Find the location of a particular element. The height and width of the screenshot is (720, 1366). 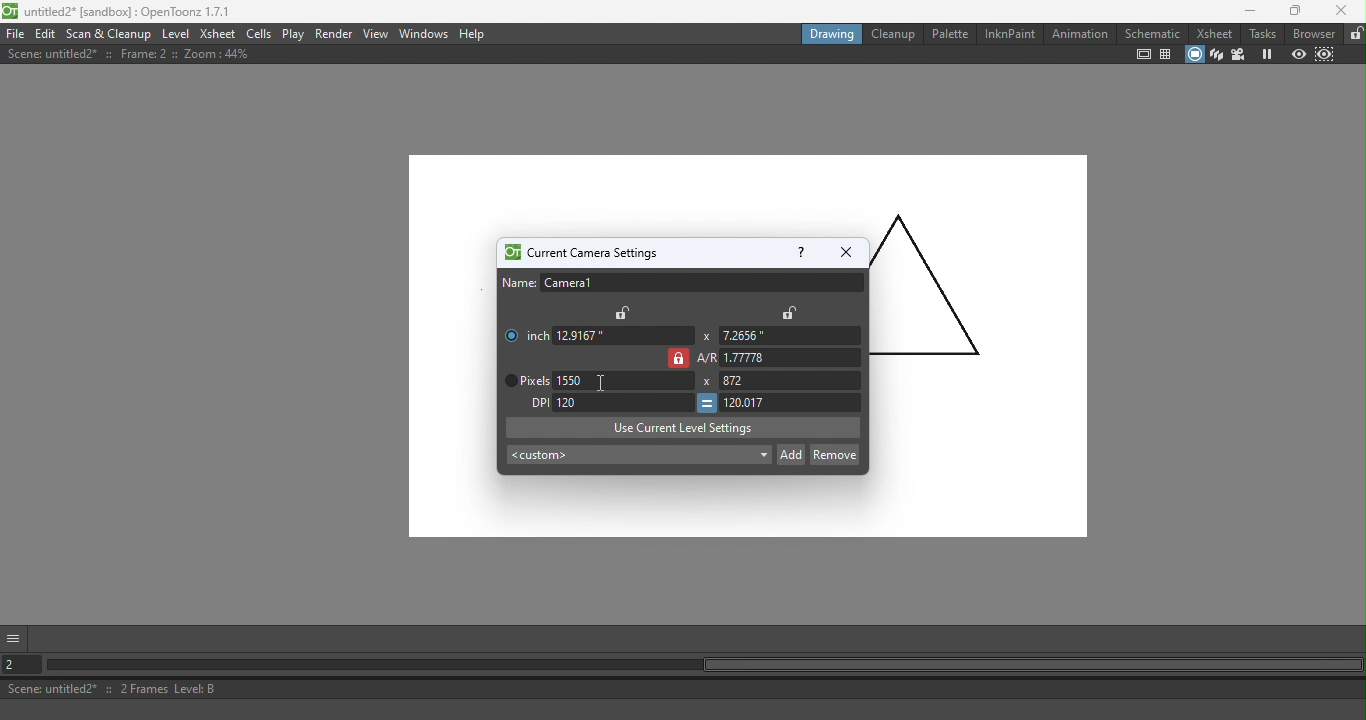

canvas is located at coordinates (453, 356).